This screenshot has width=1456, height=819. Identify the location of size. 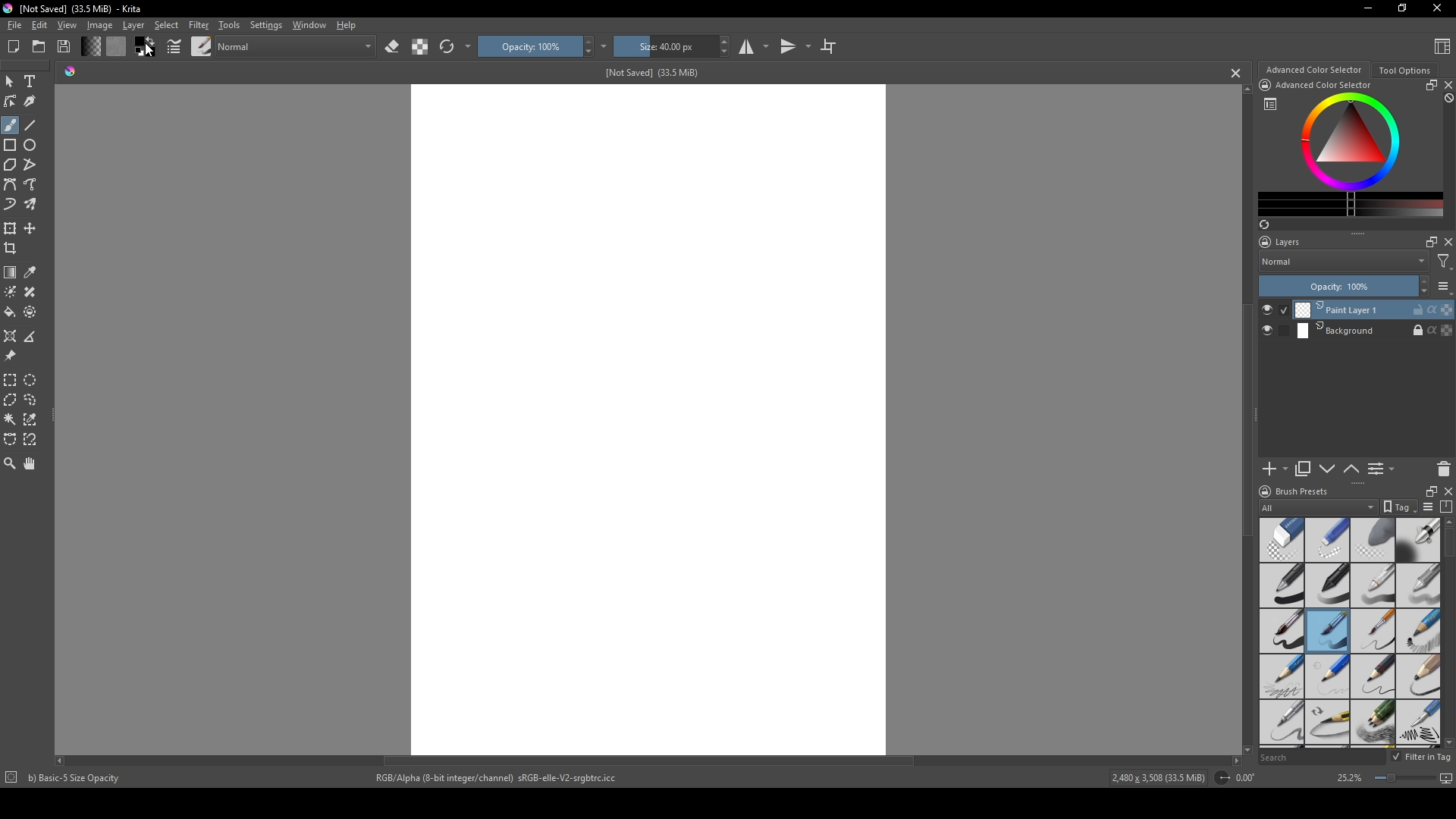
(664, 46).